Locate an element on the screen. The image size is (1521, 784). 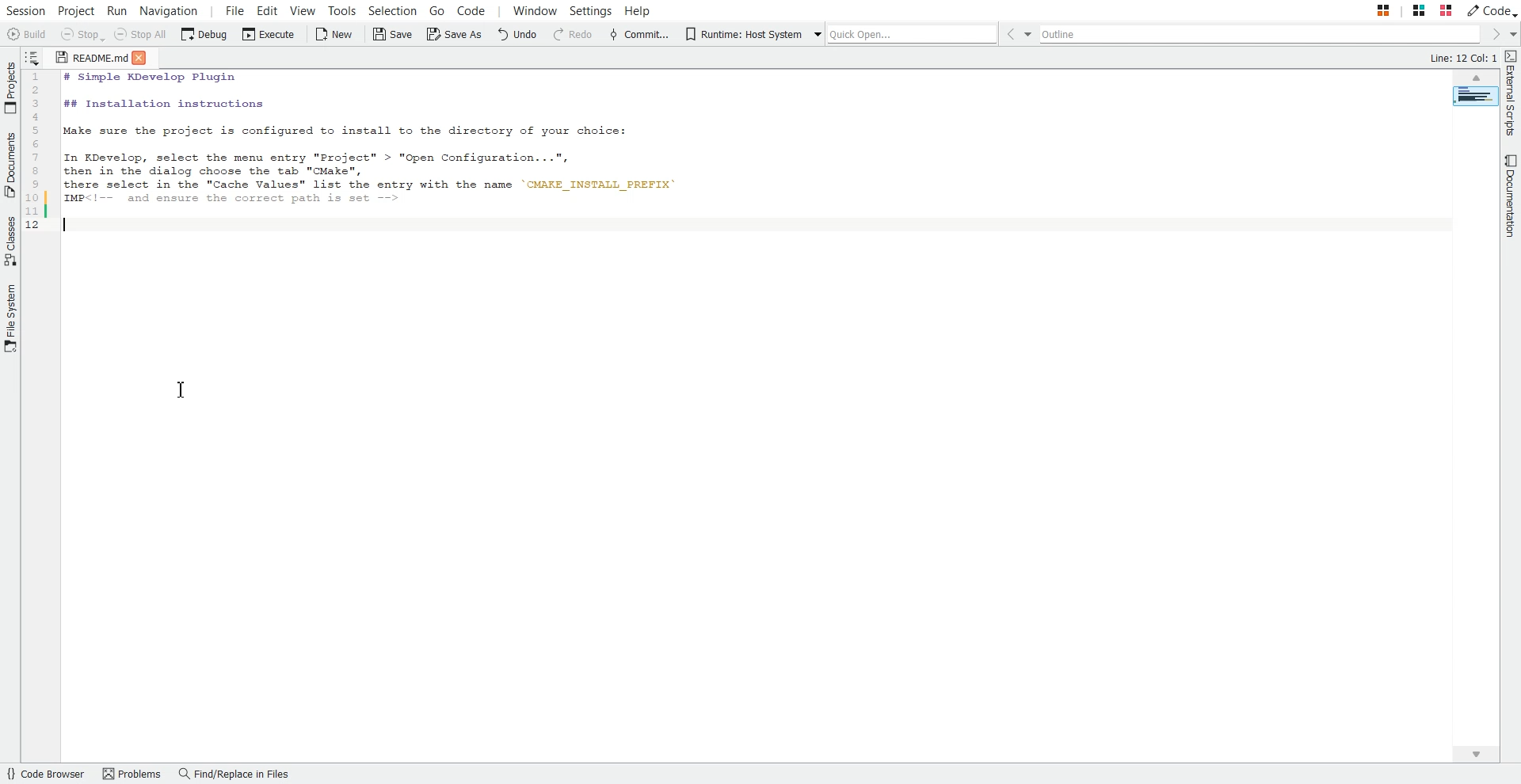
Code Line is located at coordinates (36, 152).